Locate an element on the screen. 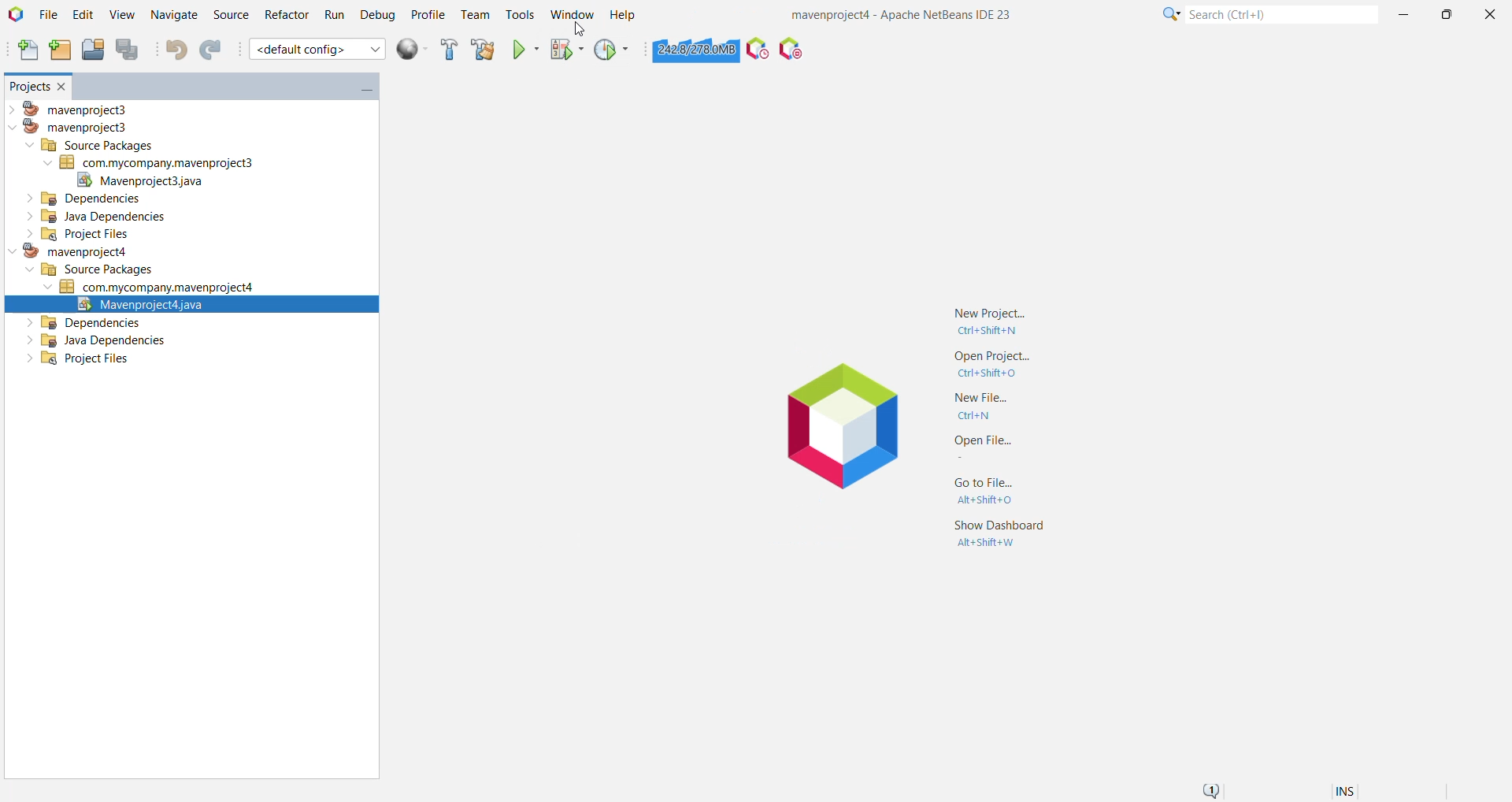  Source is located at coordinates (229, 15).